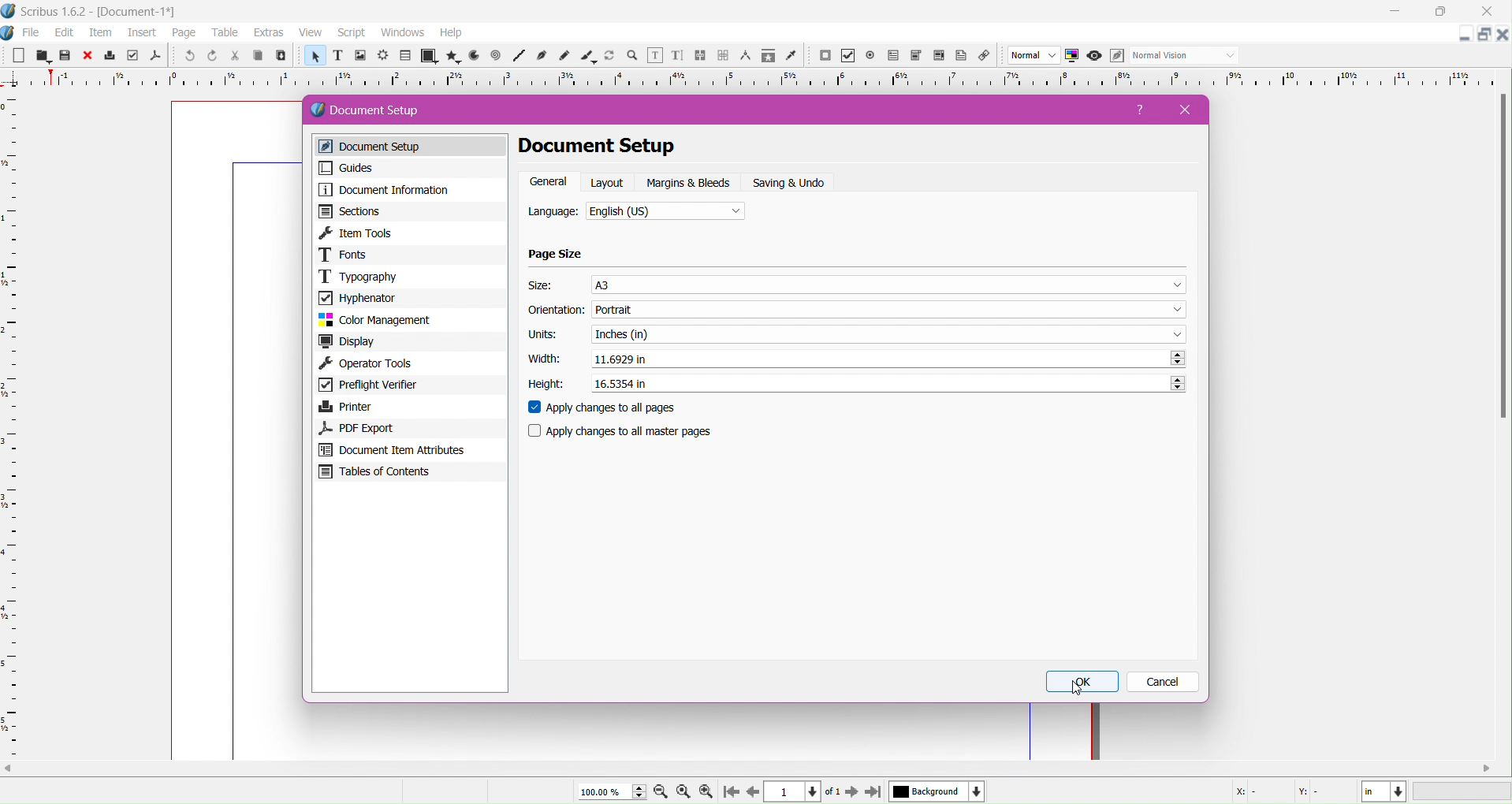 This screenshot has width=1512, height=804. Describe the element at coordinates (988, 56) in the screenshot. I see `link annotations` at that location.